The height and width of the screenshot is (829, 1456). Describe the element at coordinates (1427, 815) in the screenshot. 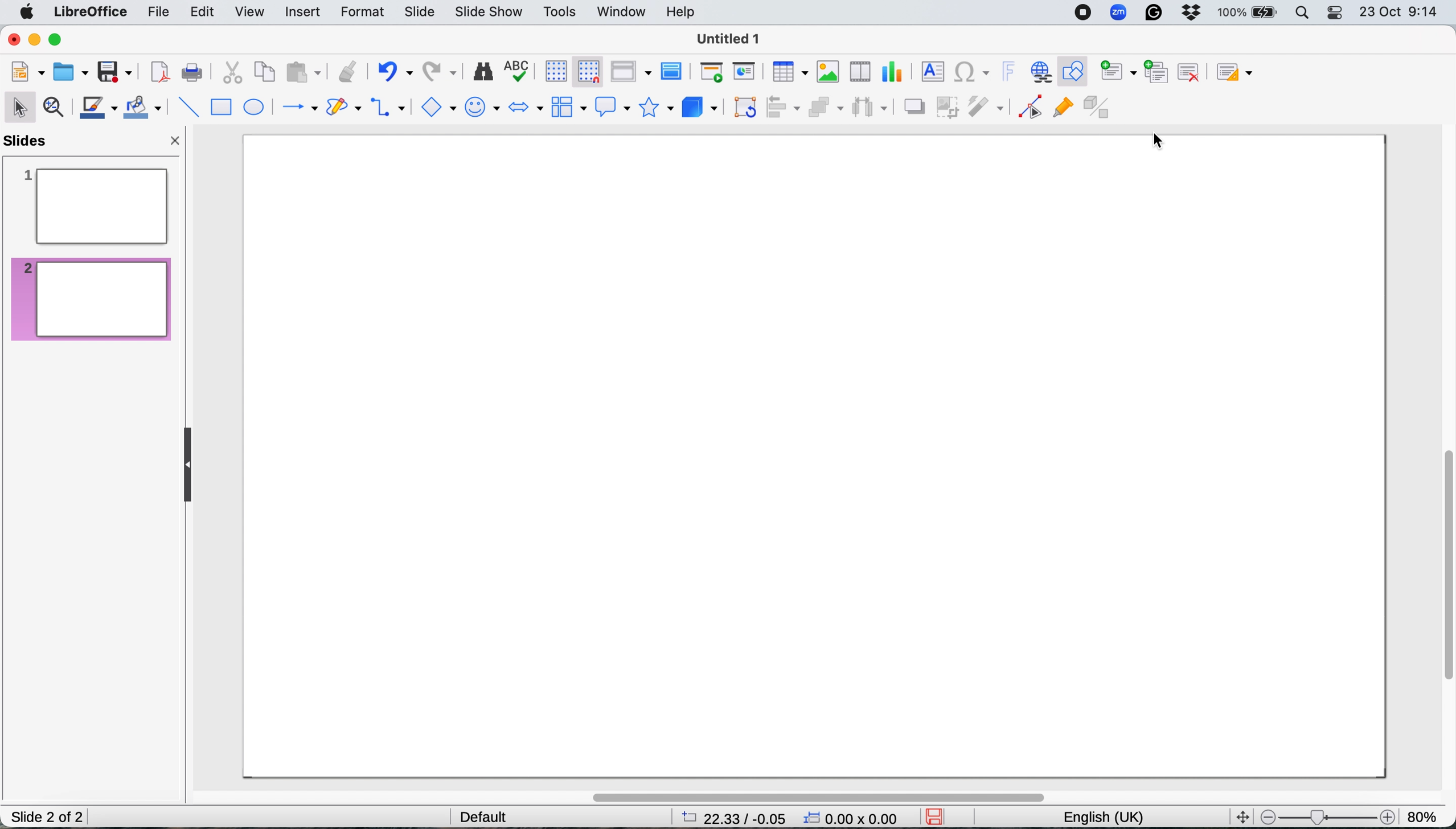

I see `zoom factor` at that location.